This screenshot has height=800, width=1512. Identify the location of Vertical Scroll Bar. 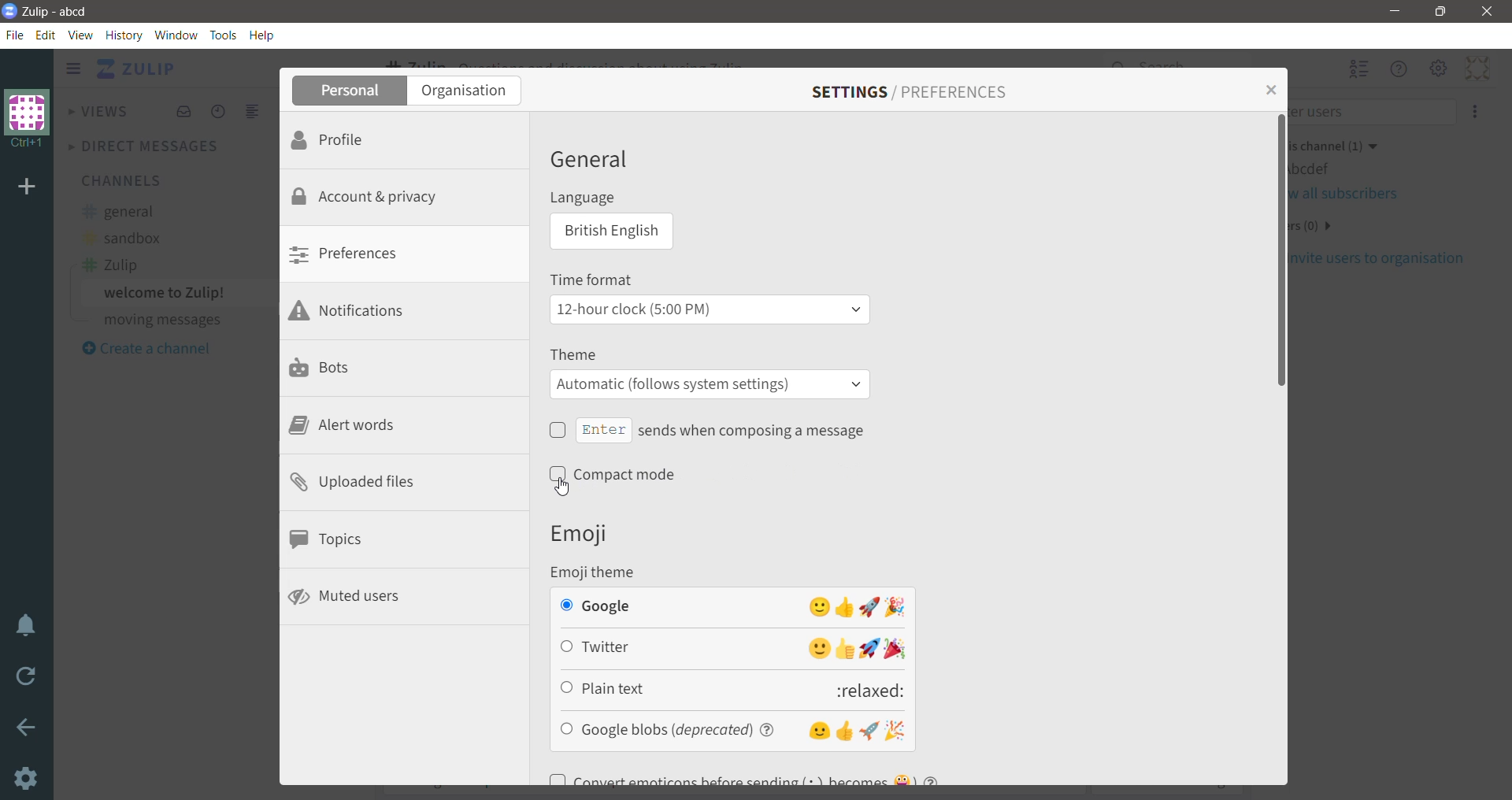
(1503, 424).